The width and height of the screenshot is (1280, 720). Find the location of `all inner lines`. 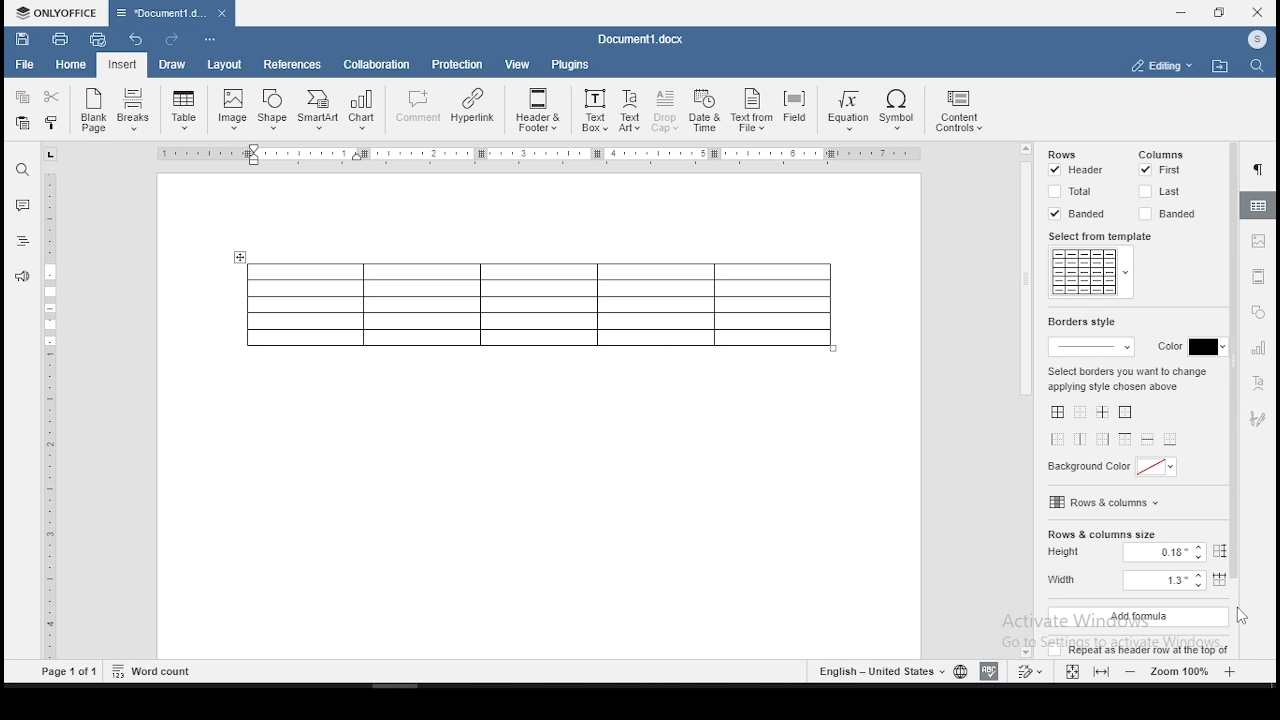

all inner lines is located at coordinates (1103, 411).